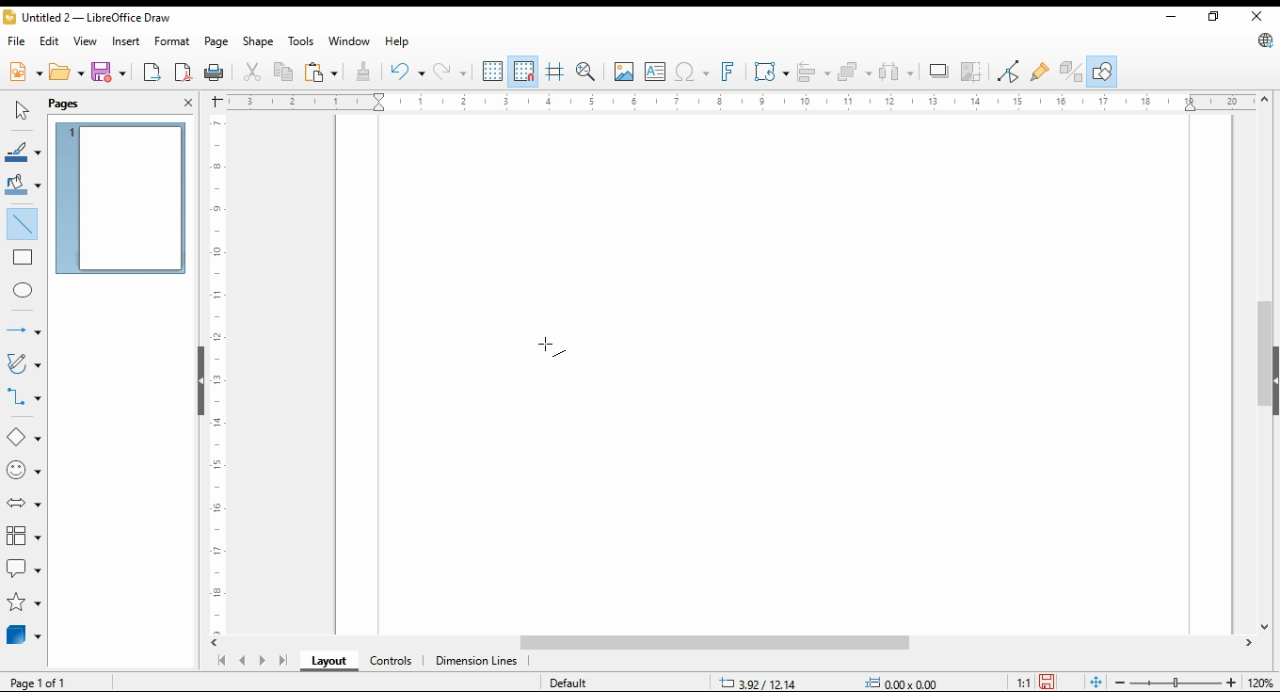  What do you see at coordinates (740, 644) in the screenshot?
I see `scroll bar` at bounding box center [740, 644].